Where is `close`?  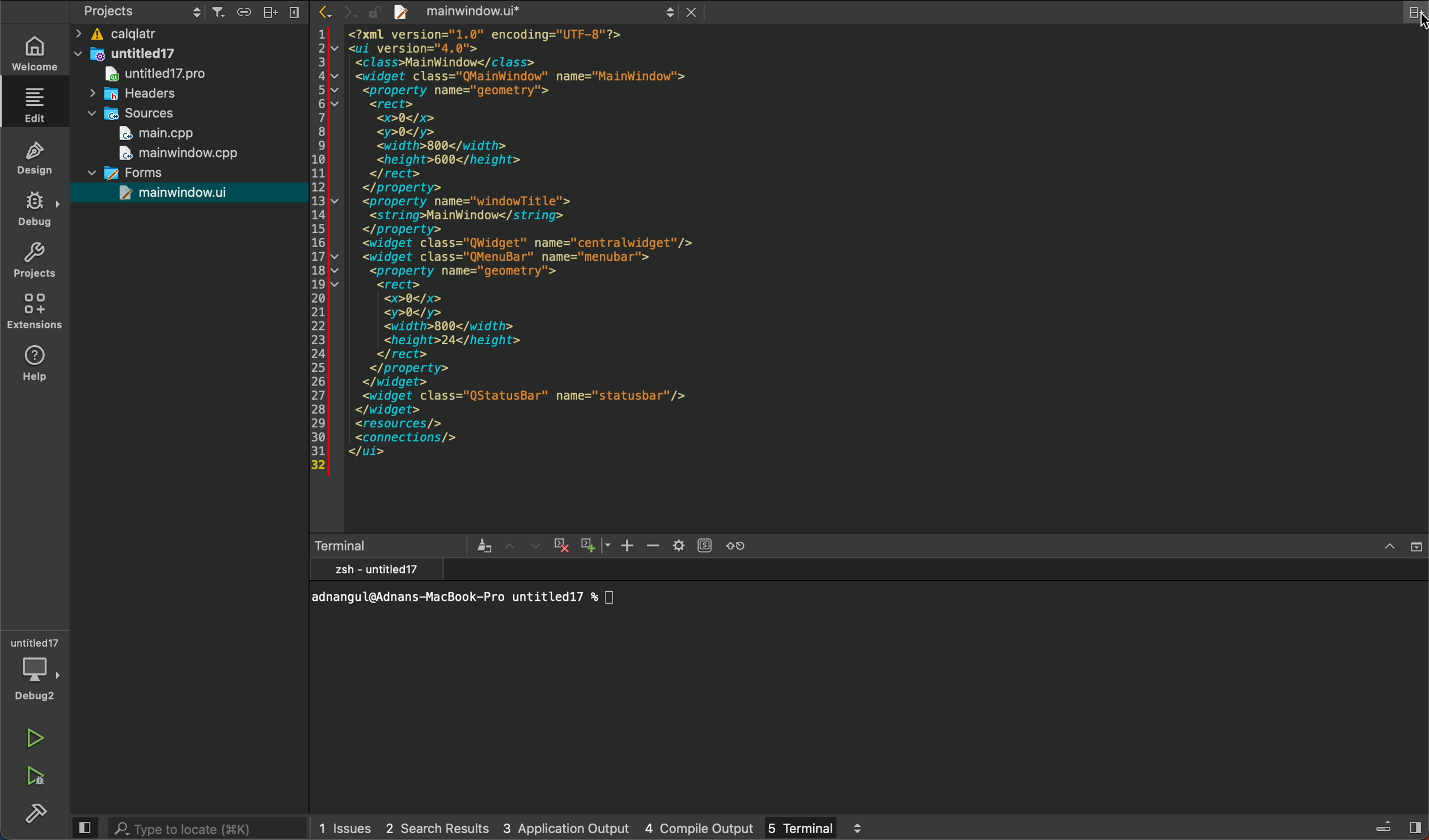 close is located at coordinates (294, 12).